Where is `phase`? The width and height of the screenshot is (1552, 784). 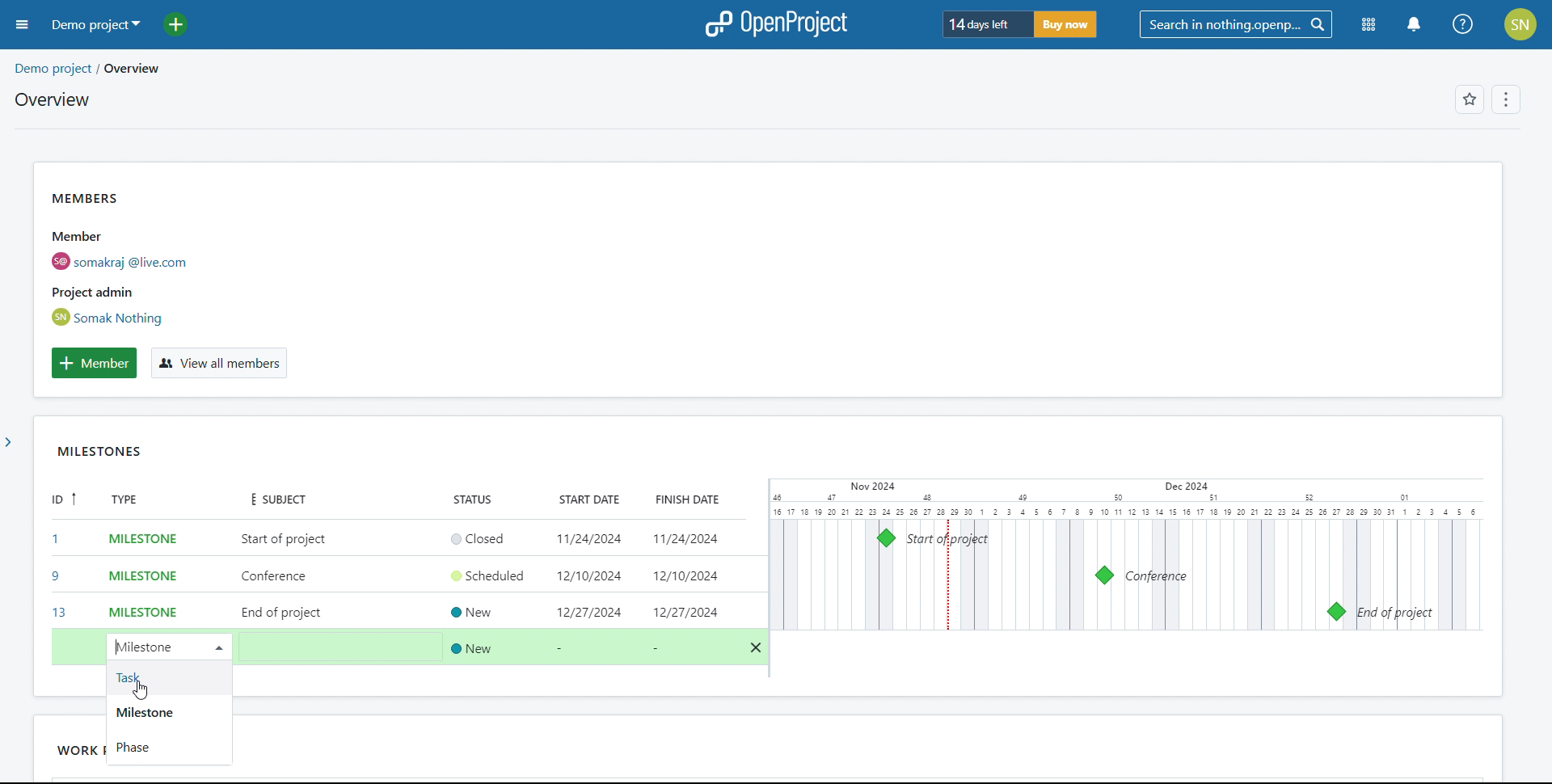
phase is located at coordinates (168, 747).